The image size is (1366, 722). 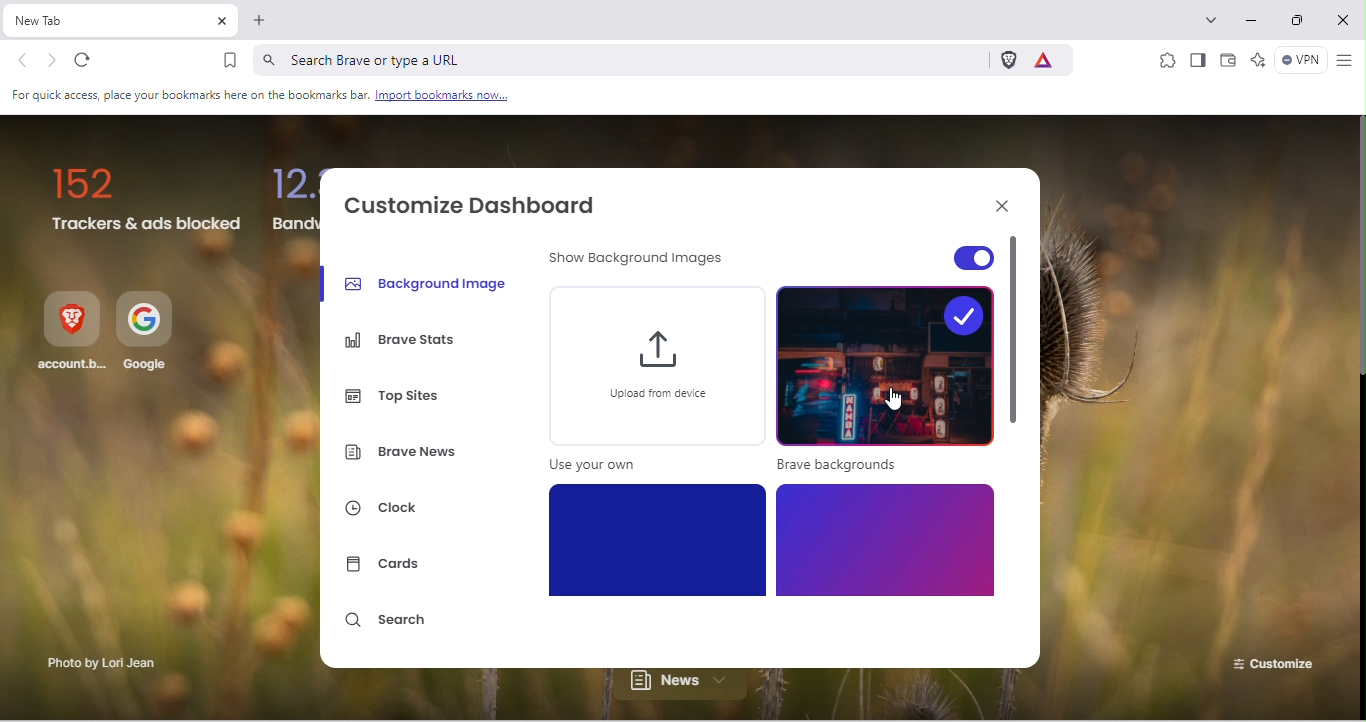 I want to click on New tab, so click(x=260, y=24).